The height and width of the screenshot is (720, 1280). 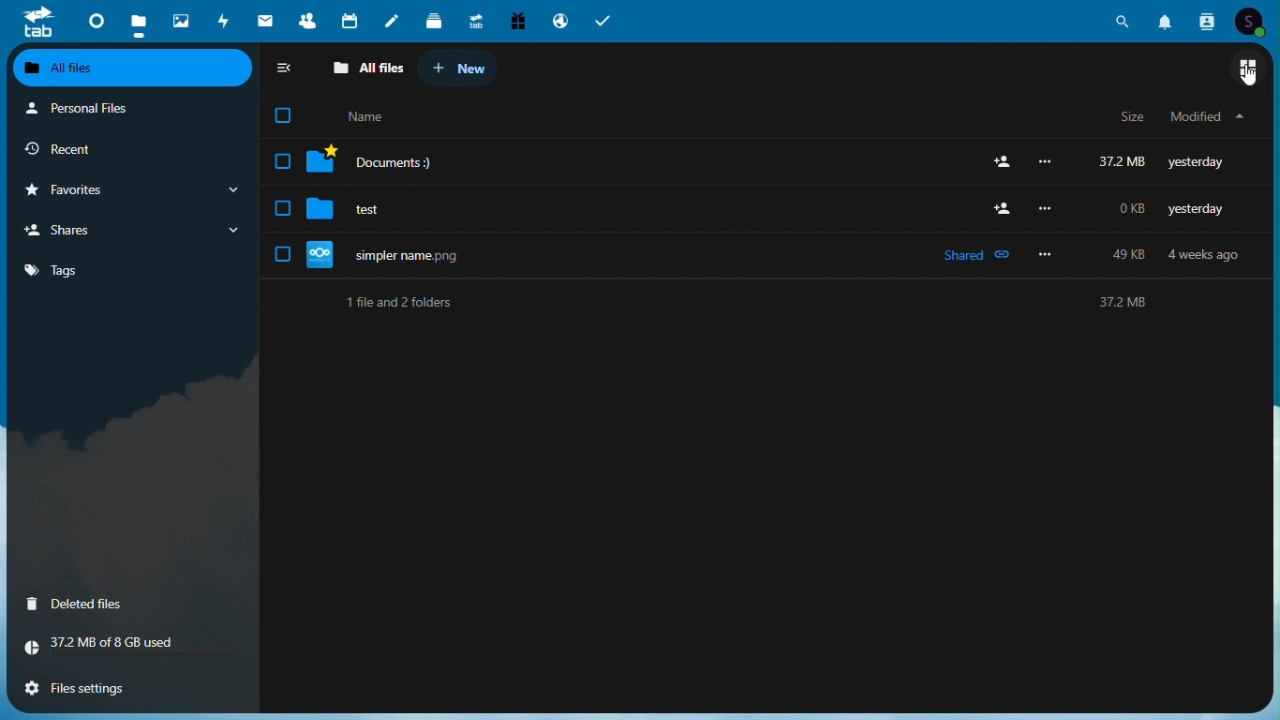 I want to click on Size, so click(x=1133, y=118).